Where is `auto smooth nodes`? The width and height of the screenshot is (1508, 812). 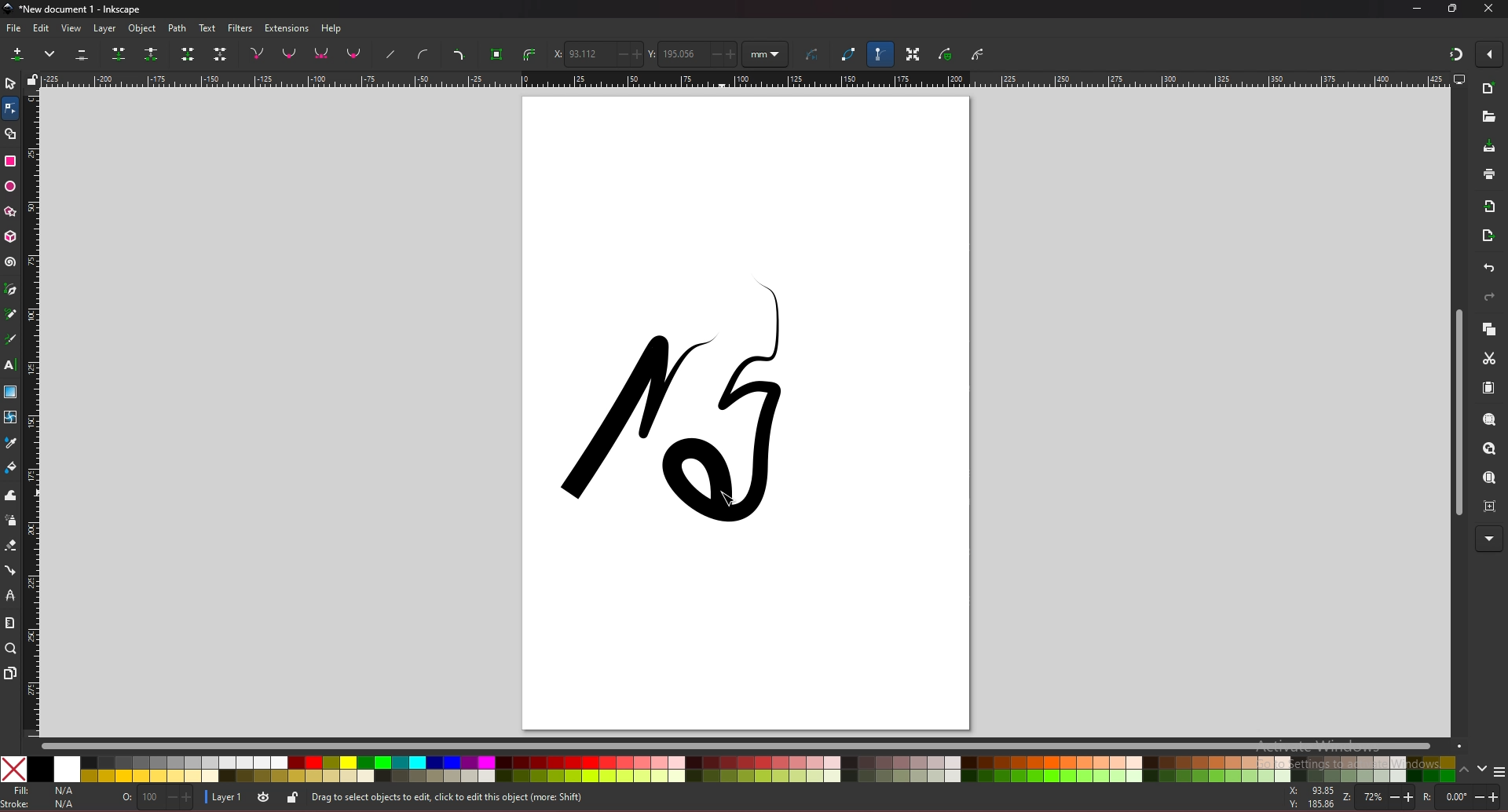 auto smooth nodes is located at coordinates (353, 53).